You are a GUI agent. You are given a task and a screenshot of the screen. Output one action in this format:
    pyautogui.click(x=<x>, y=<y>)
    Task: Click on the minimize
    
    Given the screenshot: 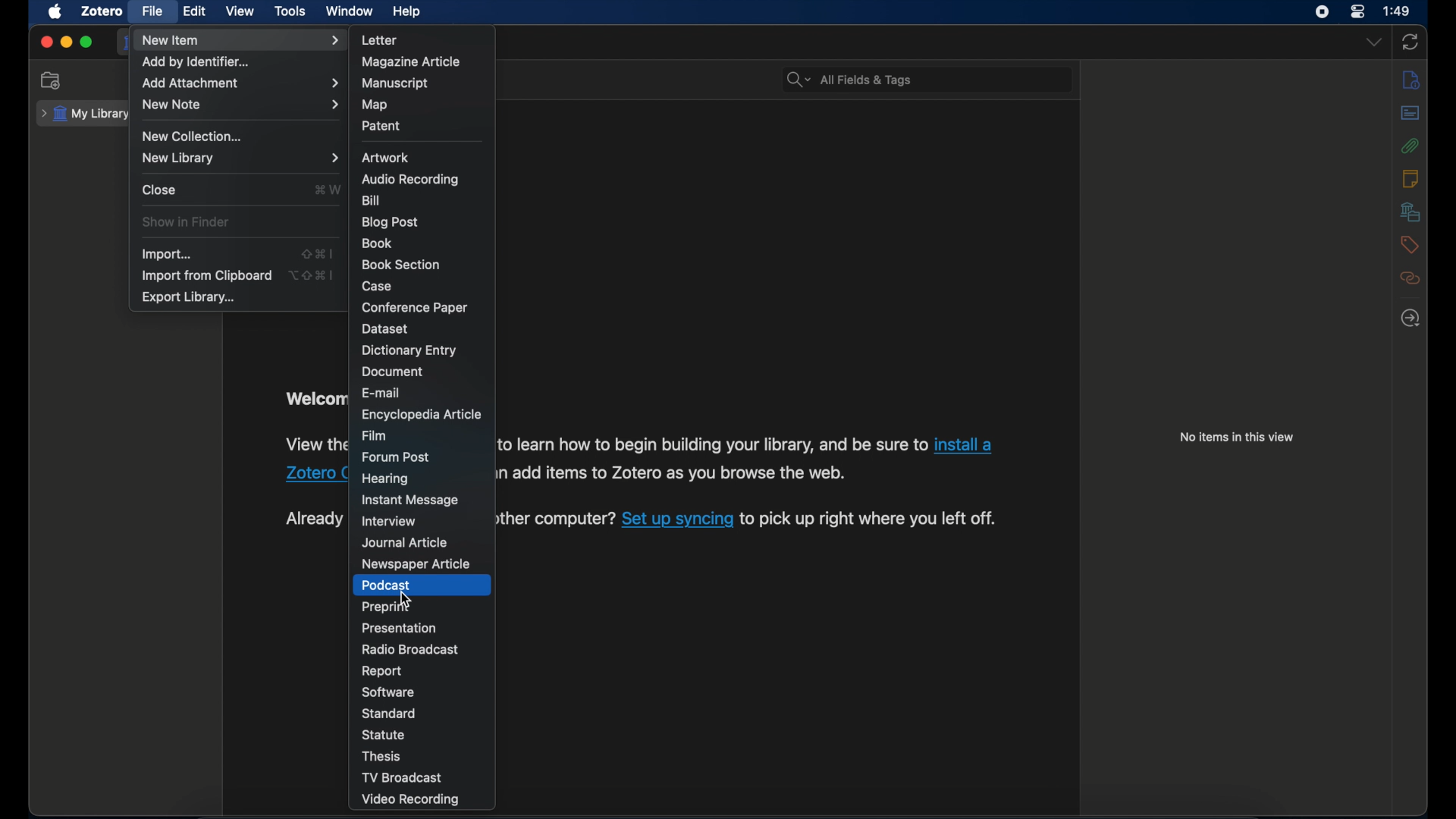 What is the action you would take?
    pyautogui.click(x=65, y=43)
    